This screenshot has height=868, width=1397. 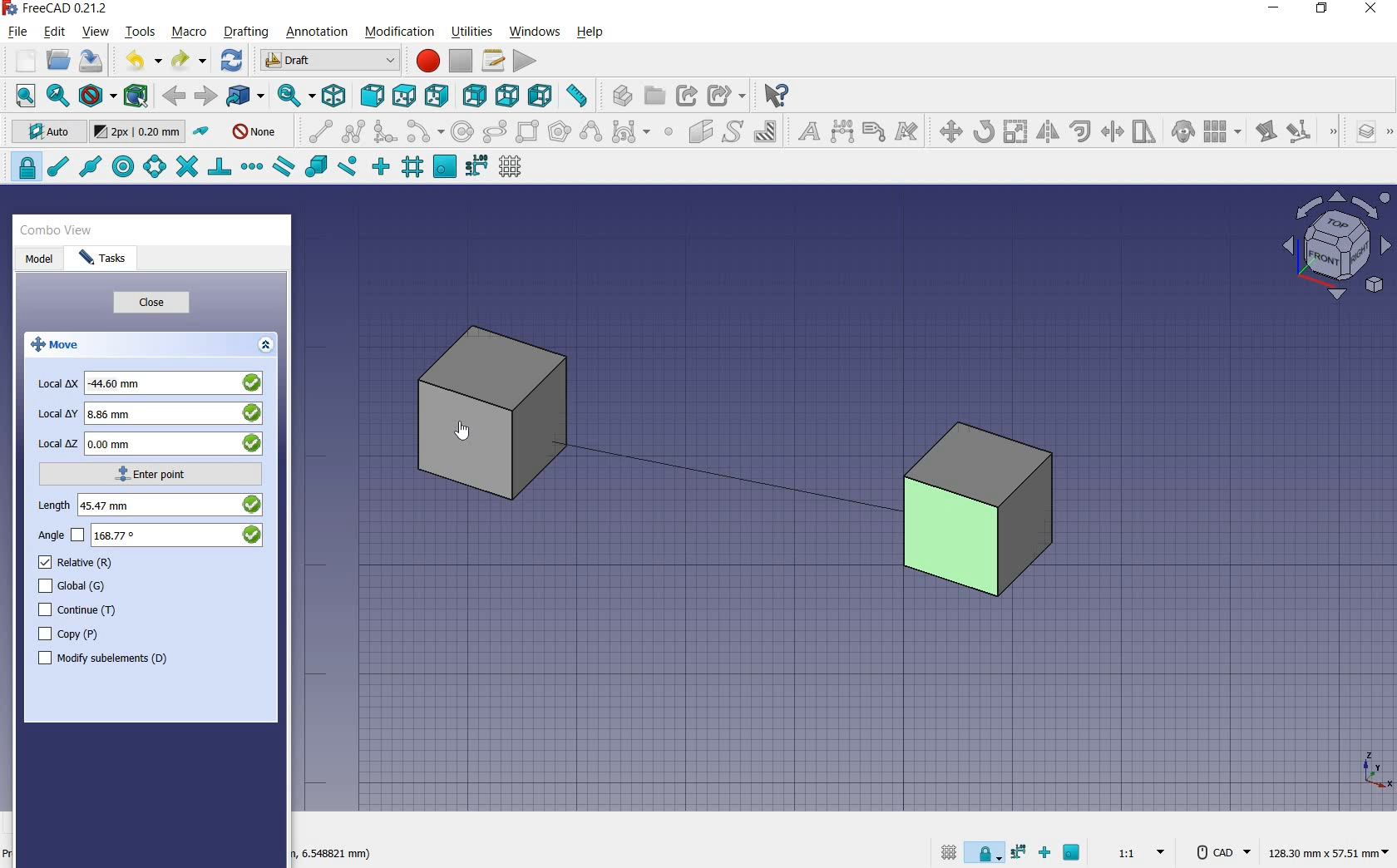 I want to click on draw style, so click(x=95, y=95).